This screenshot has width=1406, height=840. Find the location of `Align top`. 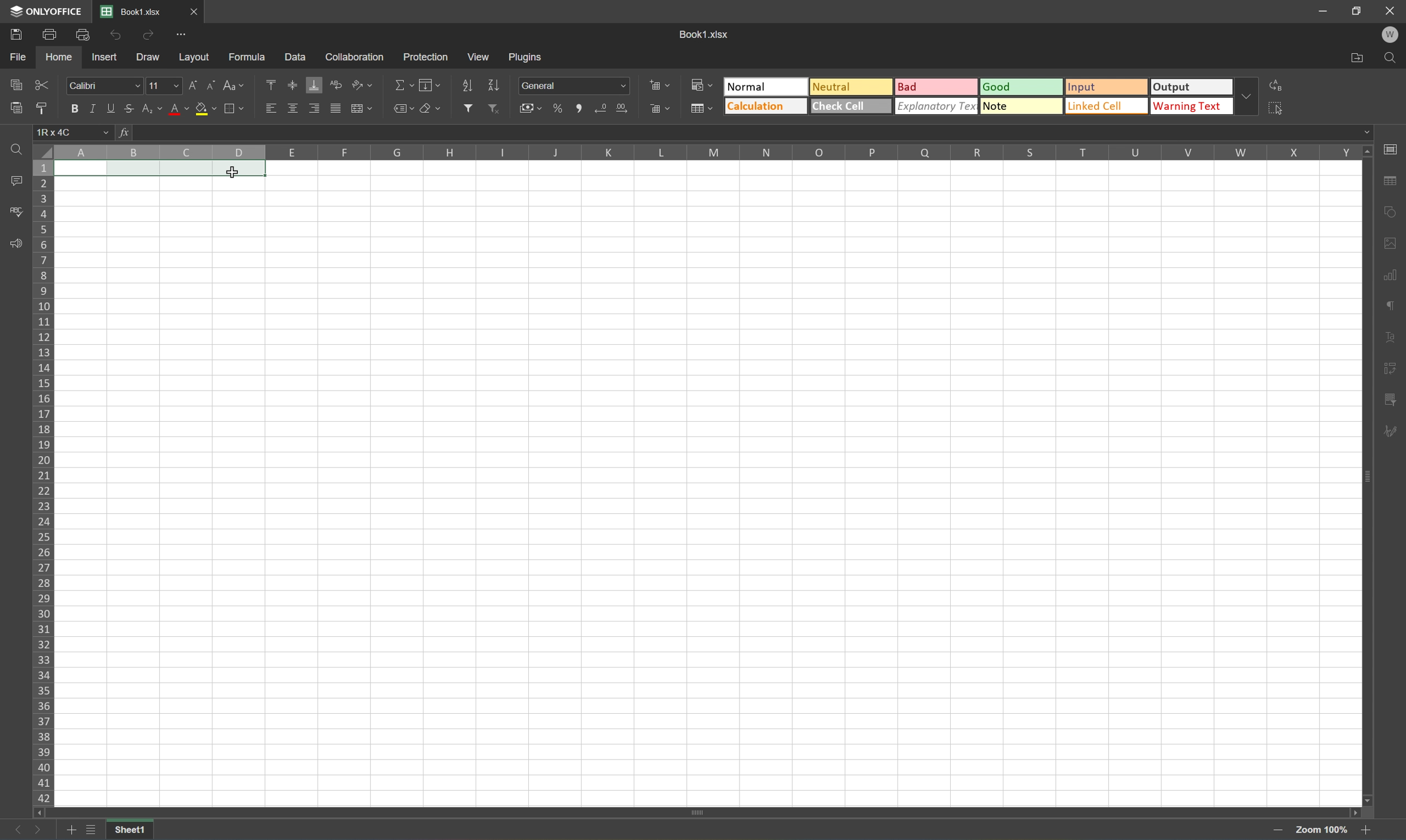

Align top is located at coordinates (271, 83).